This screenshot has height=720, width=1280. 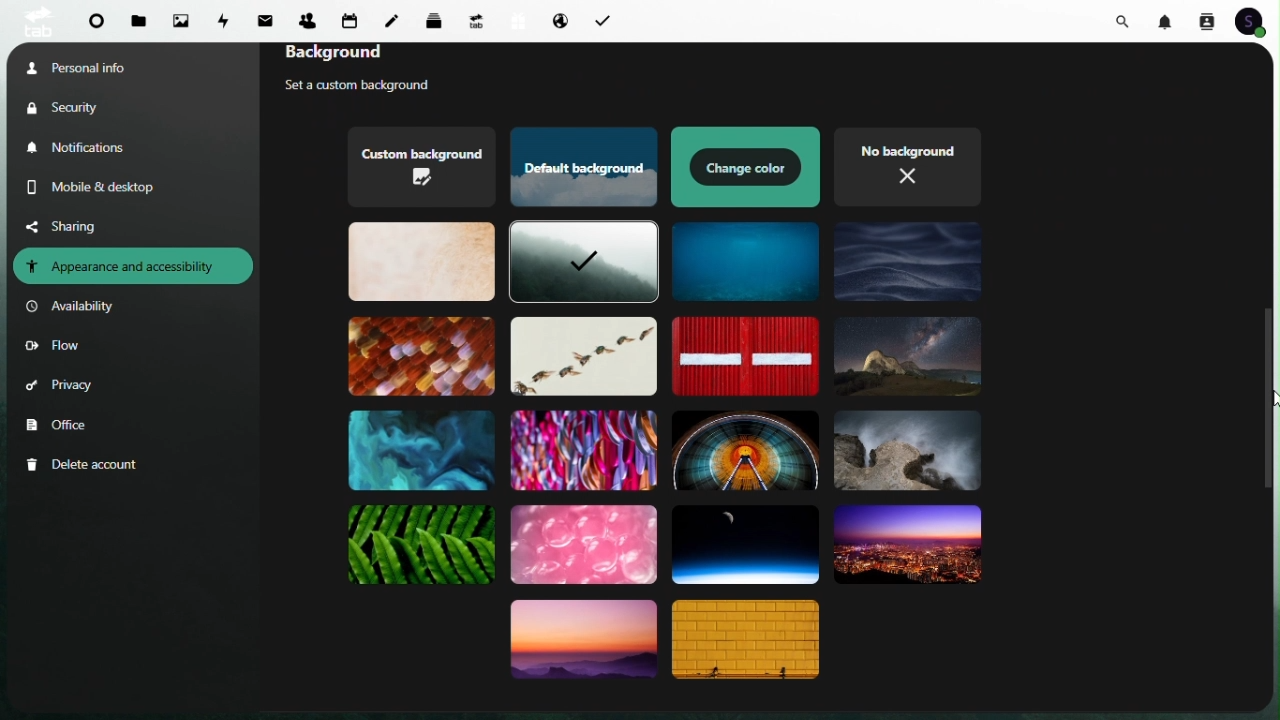 I want to click on Themes, so click(x=906, y=451).